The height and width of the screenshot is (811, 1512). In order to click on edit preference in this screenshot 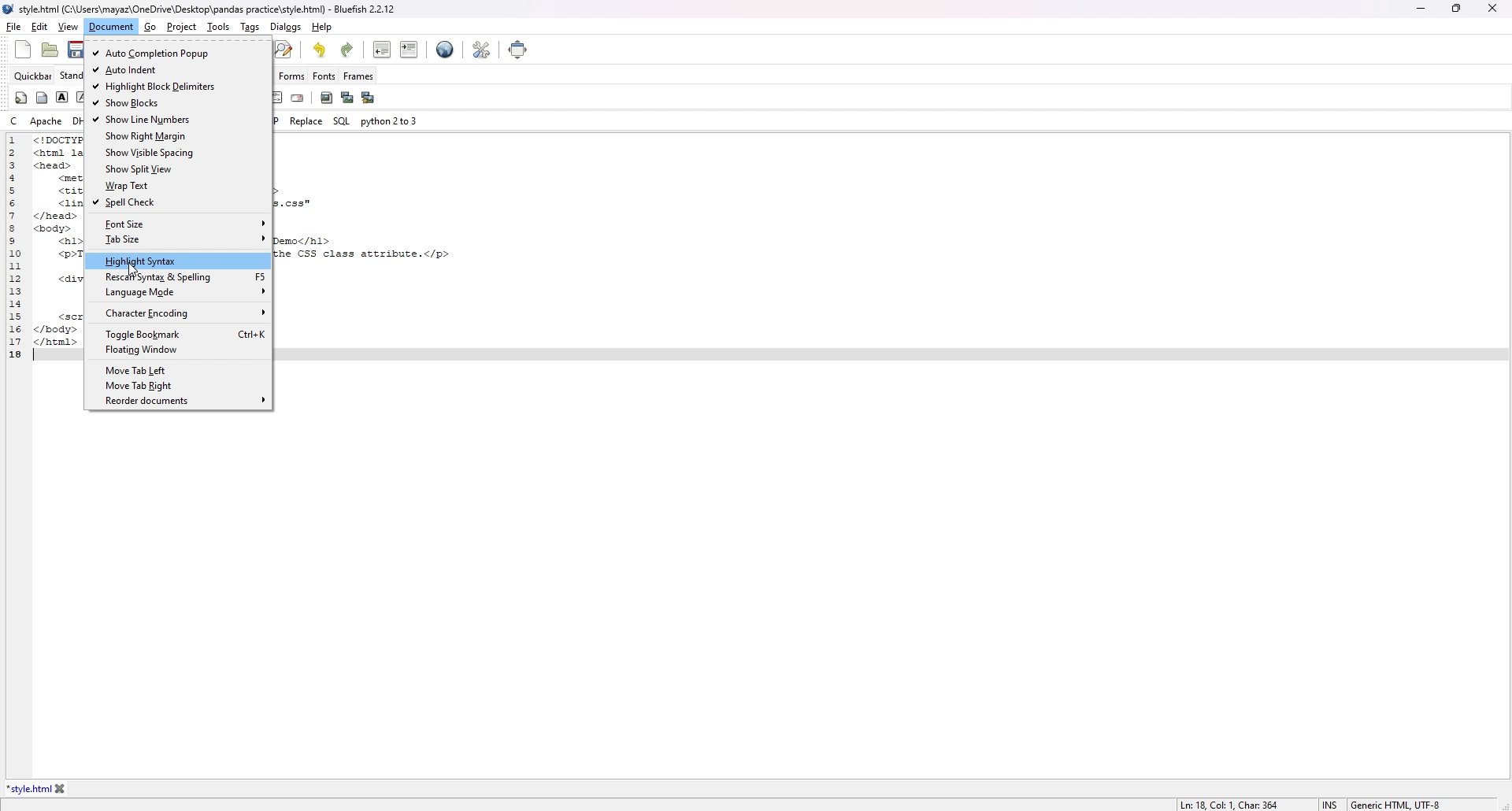, I will do `click(481, 50)`.